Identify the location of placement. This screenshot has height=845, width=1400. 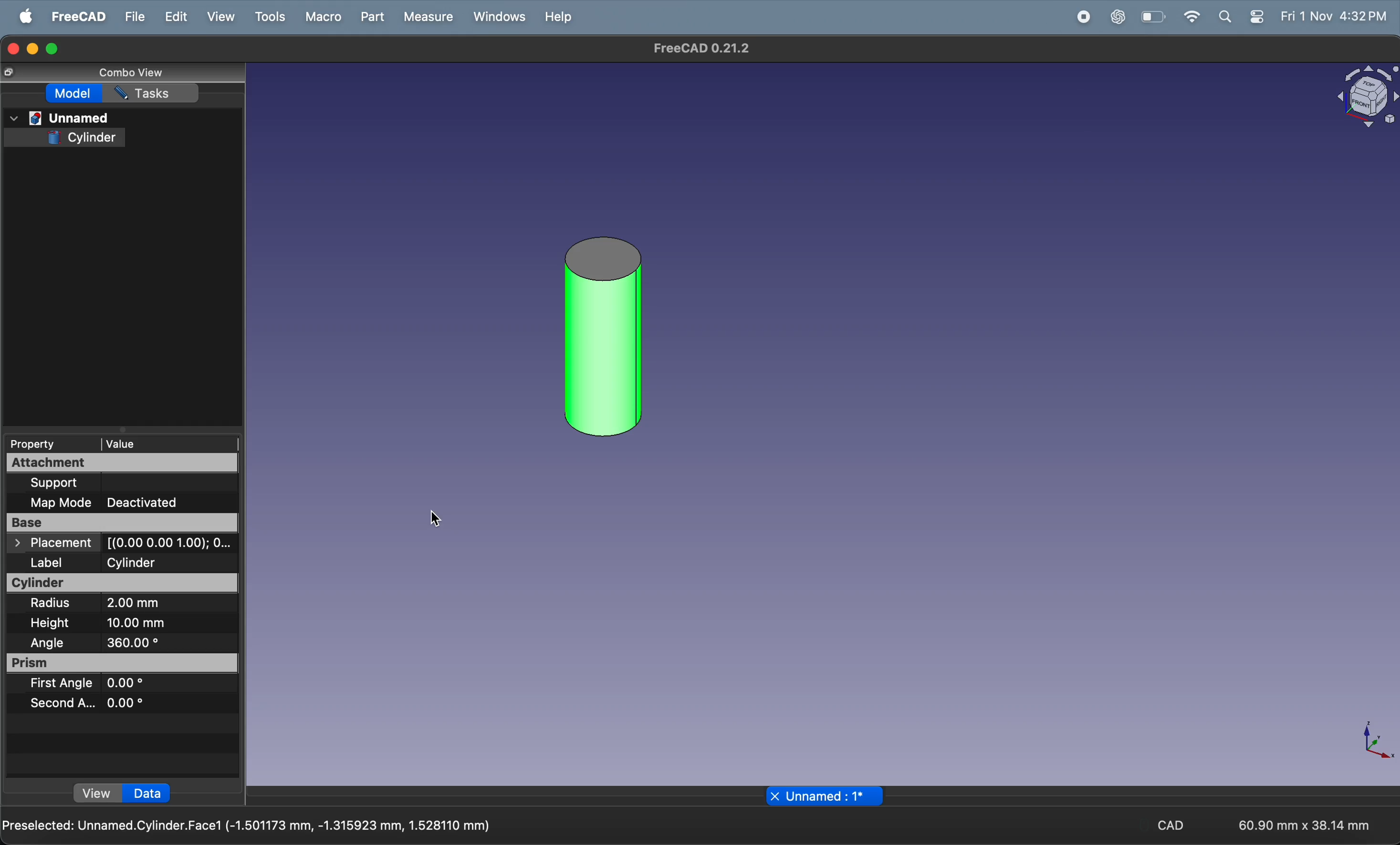
(123, 543).